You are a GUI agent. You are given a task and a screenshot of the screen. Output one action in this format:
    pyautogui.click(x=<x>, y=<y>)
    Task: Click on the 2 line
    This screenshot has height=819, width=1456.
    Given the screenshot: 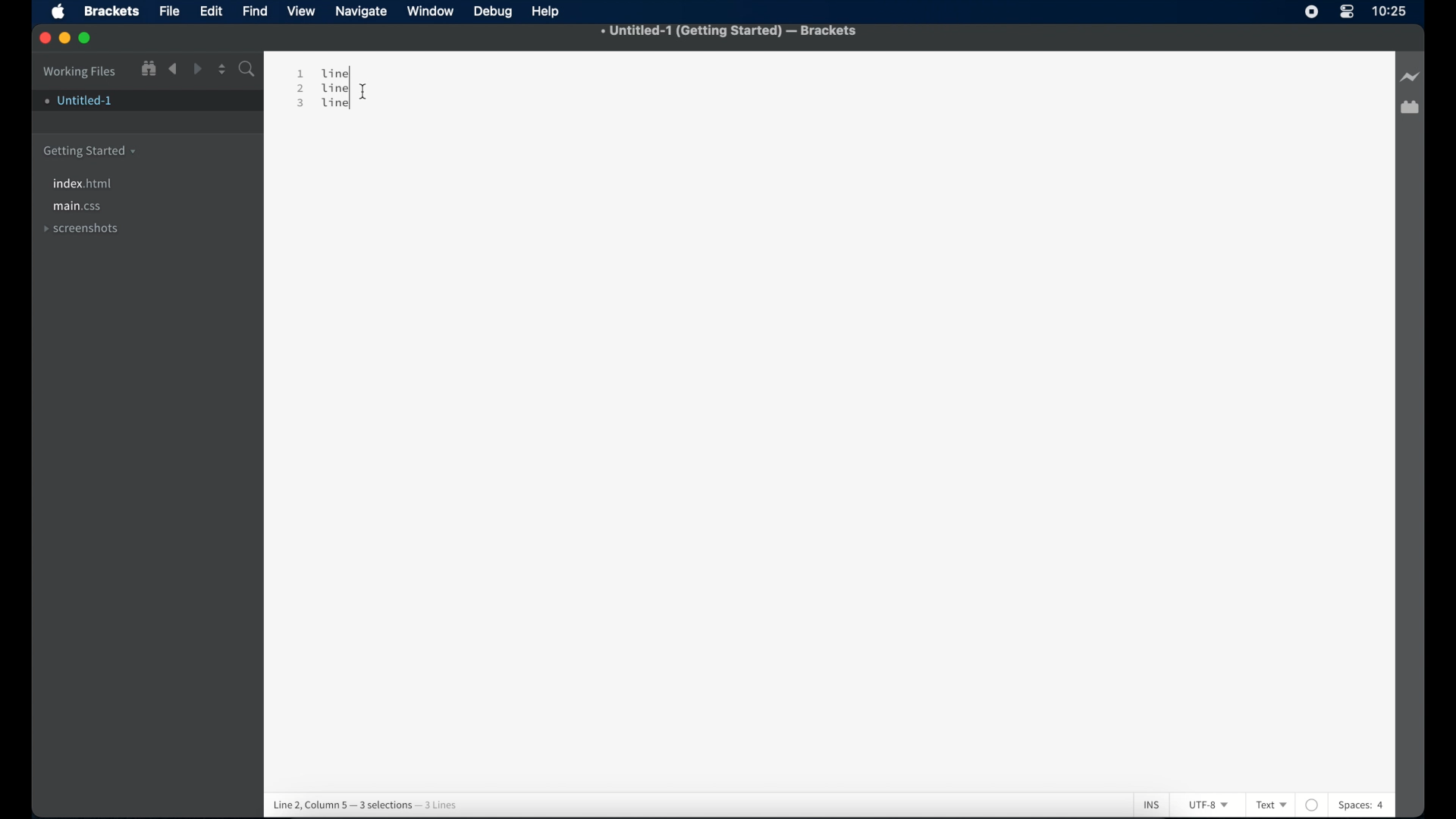 What is the action you would take?
    pyautogui.click(x=327, y=89)
    